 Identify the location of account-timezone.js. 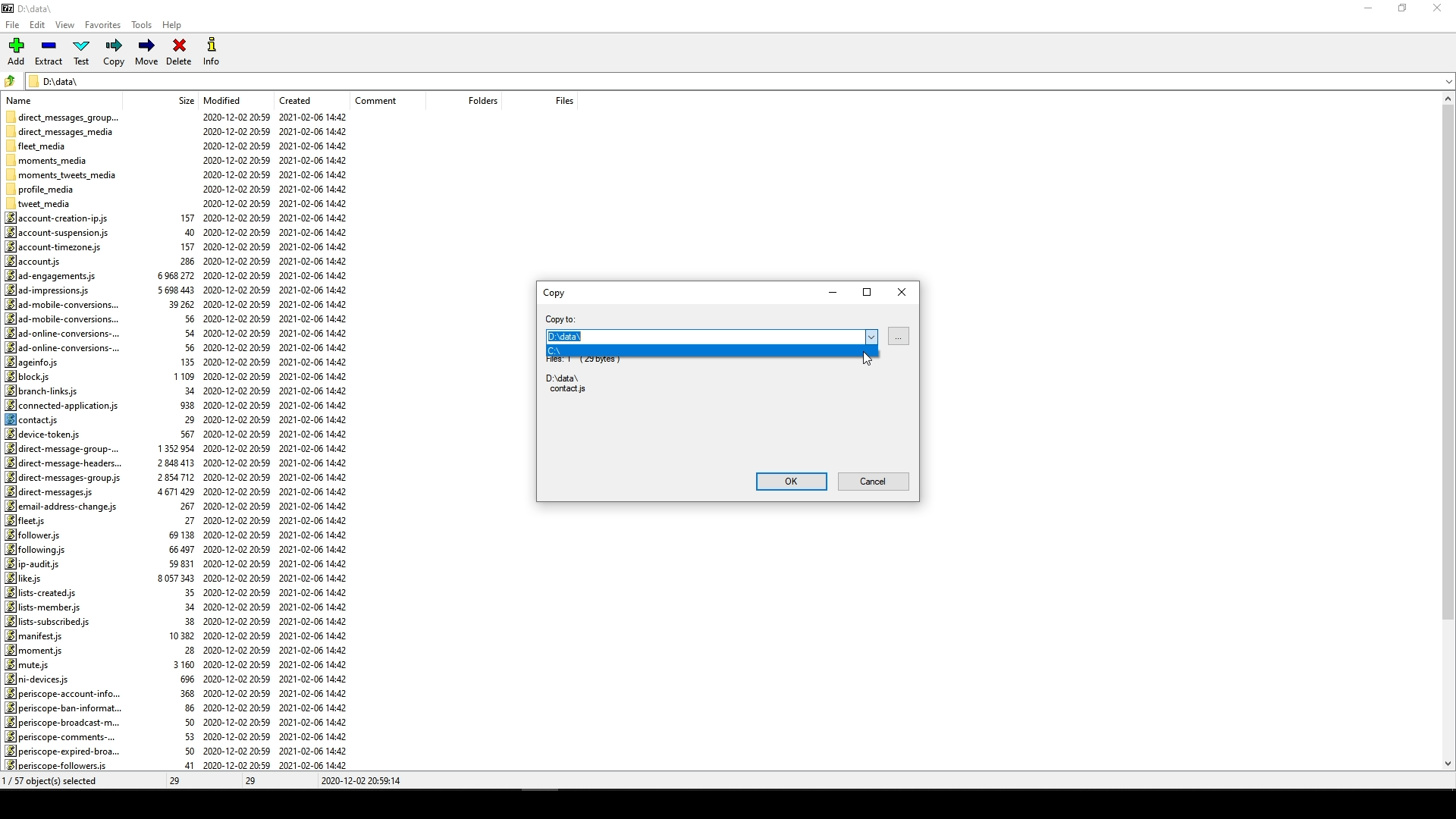
(54, 246).